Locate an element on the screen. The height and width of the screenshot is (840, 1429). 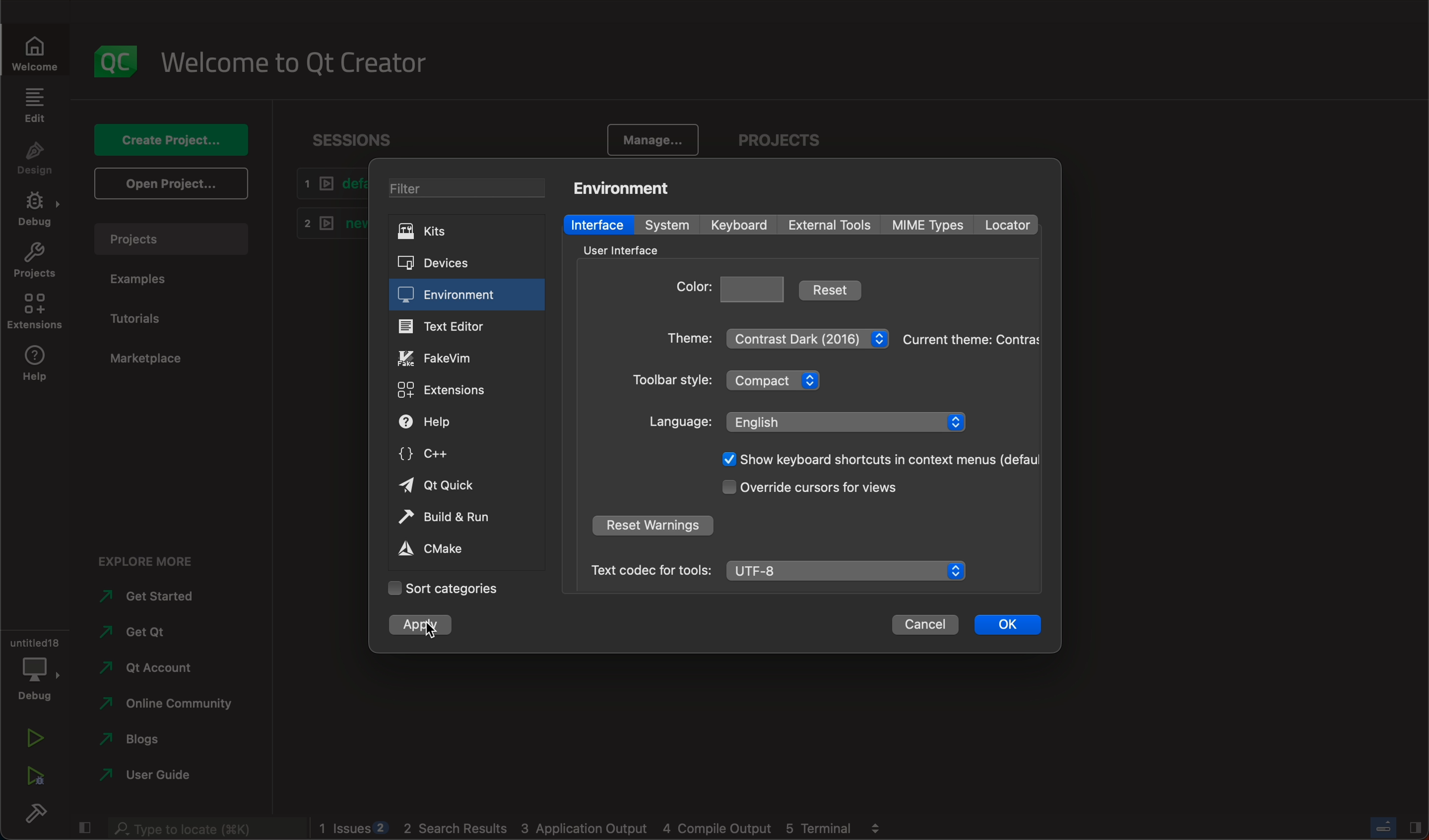
run debug is located at coordinates (33, 777).